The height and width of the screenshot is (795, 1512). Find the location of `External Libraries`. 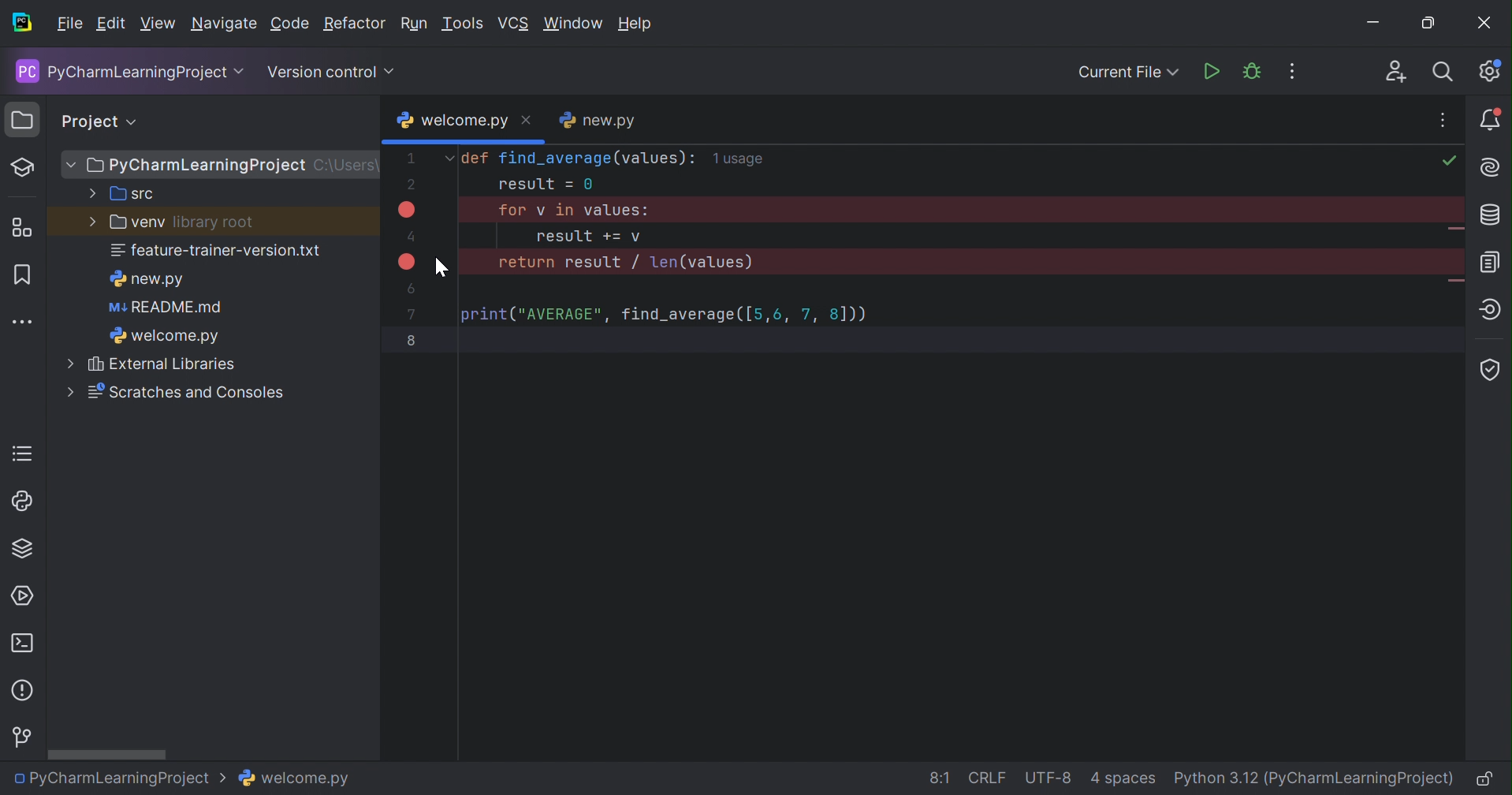

External Libraries is located at coordinates (157, 366).